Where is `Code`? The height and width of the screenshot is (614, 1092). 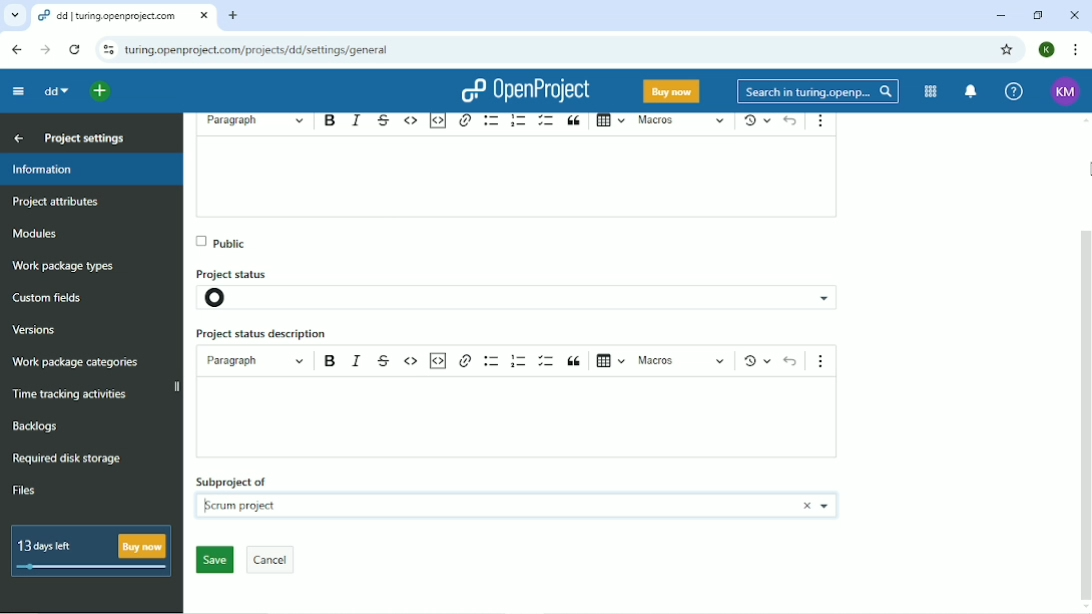
Code is located at coordinates (411, 361).